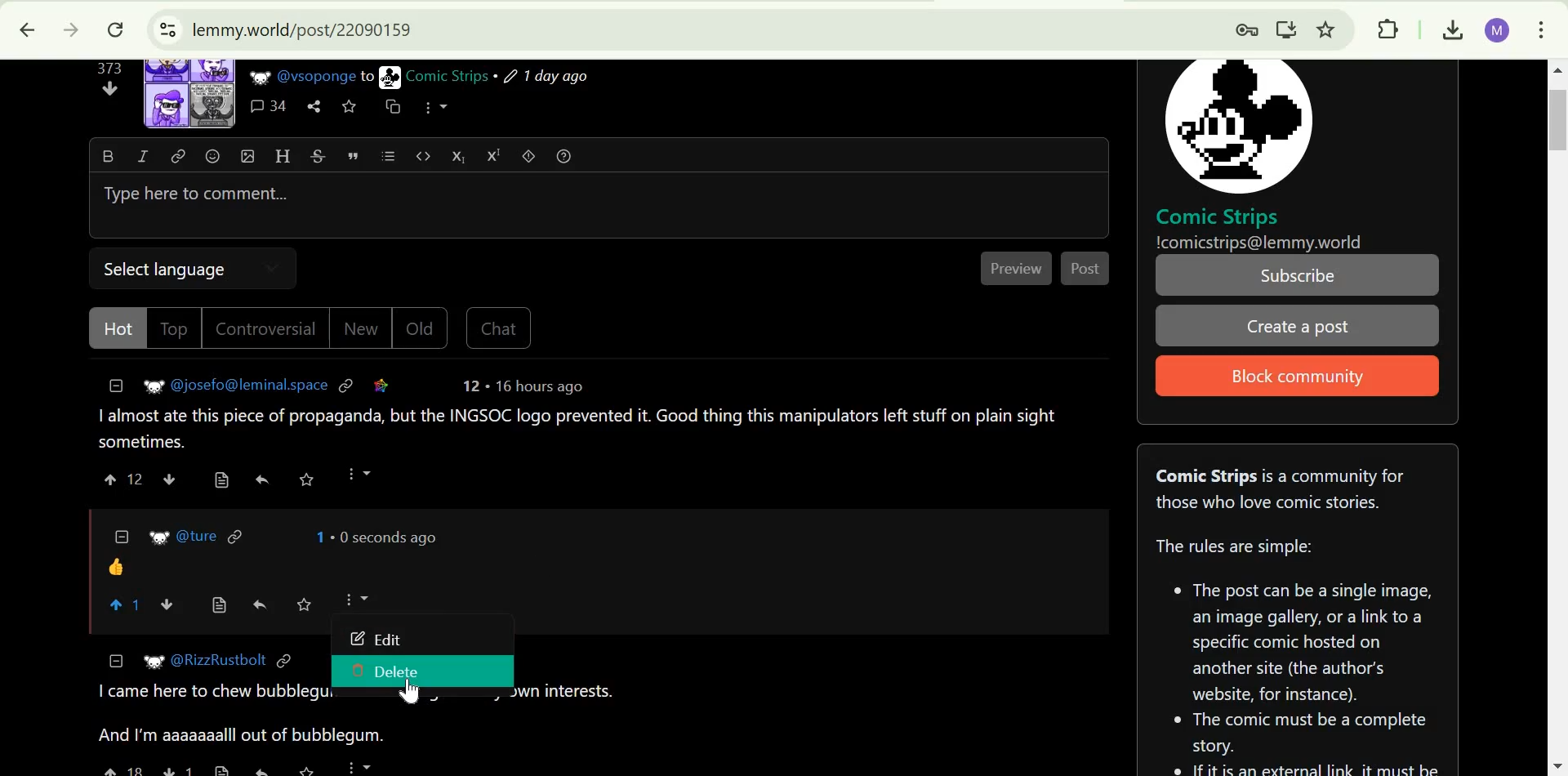 The height and width of the screenshot is (776, 1568). I want to click on customize and control google chrome, so click(1542, 27).